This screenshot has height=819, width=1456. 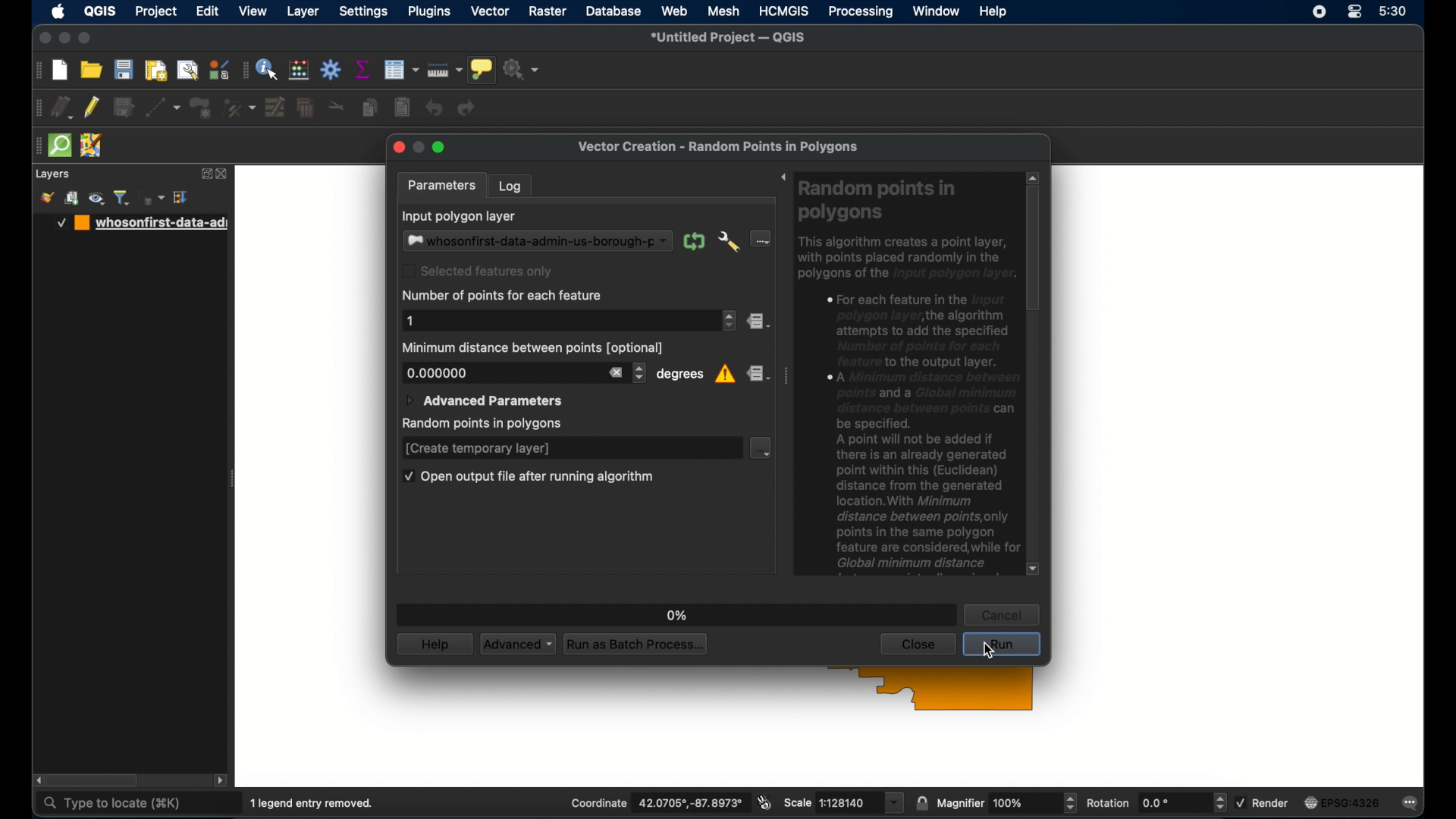 I want to click on log, so click(x=510, y=184).